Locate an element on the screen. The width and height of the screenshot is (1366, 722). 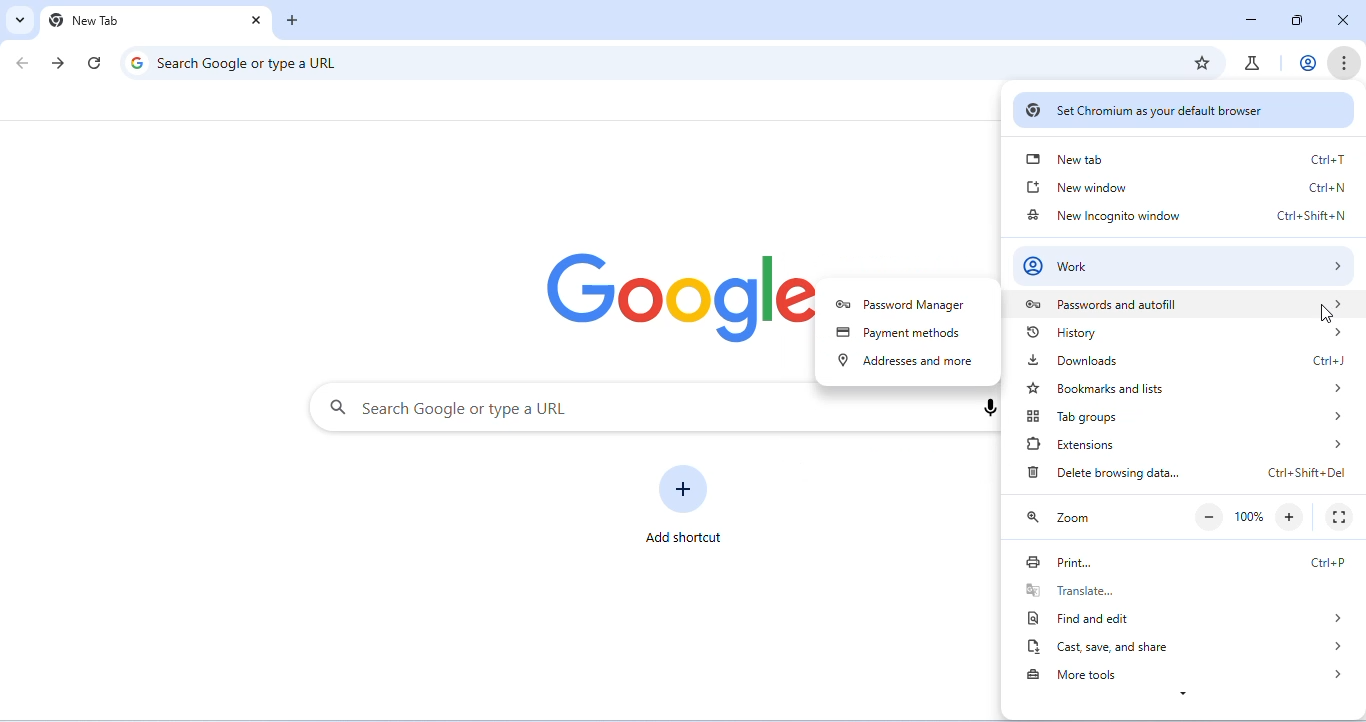
set chromium as your default browser is located at coordinates (1184, 109).